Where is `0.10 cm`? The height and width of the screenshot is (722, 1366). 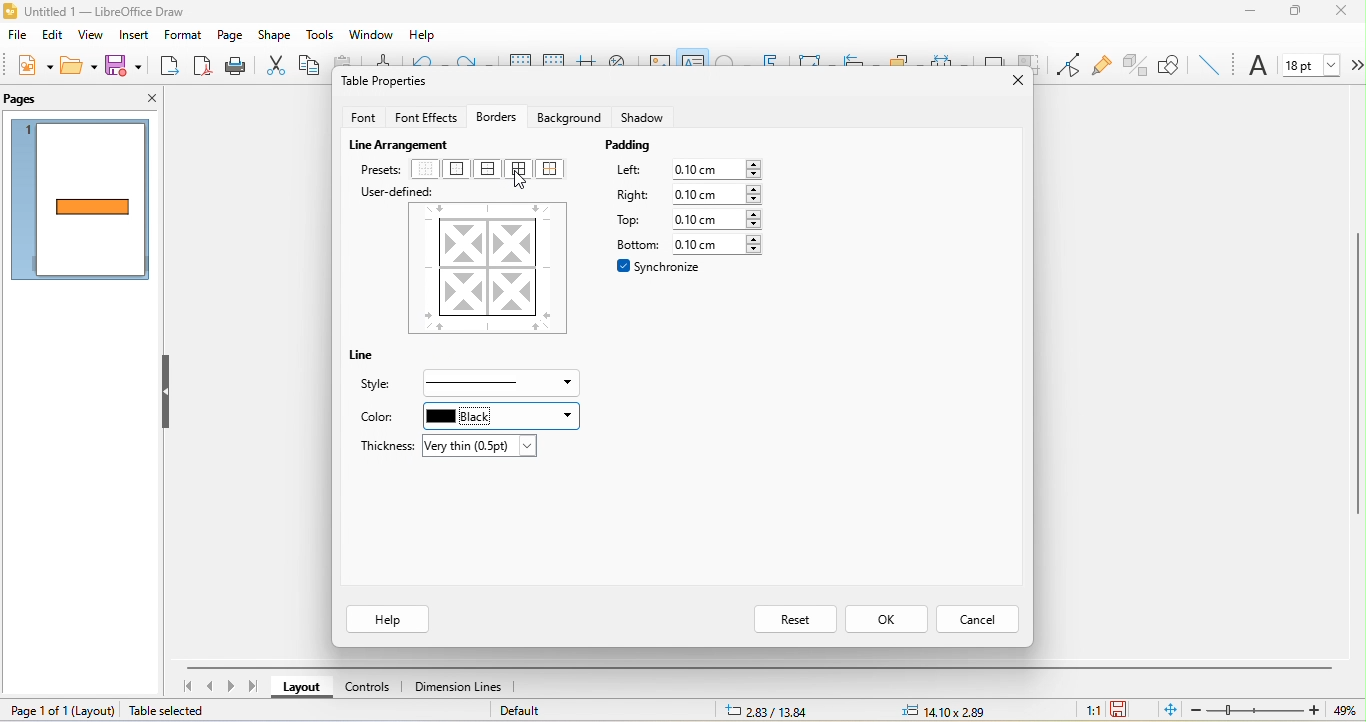 0.10 cm is located at coordinates (720, 221).